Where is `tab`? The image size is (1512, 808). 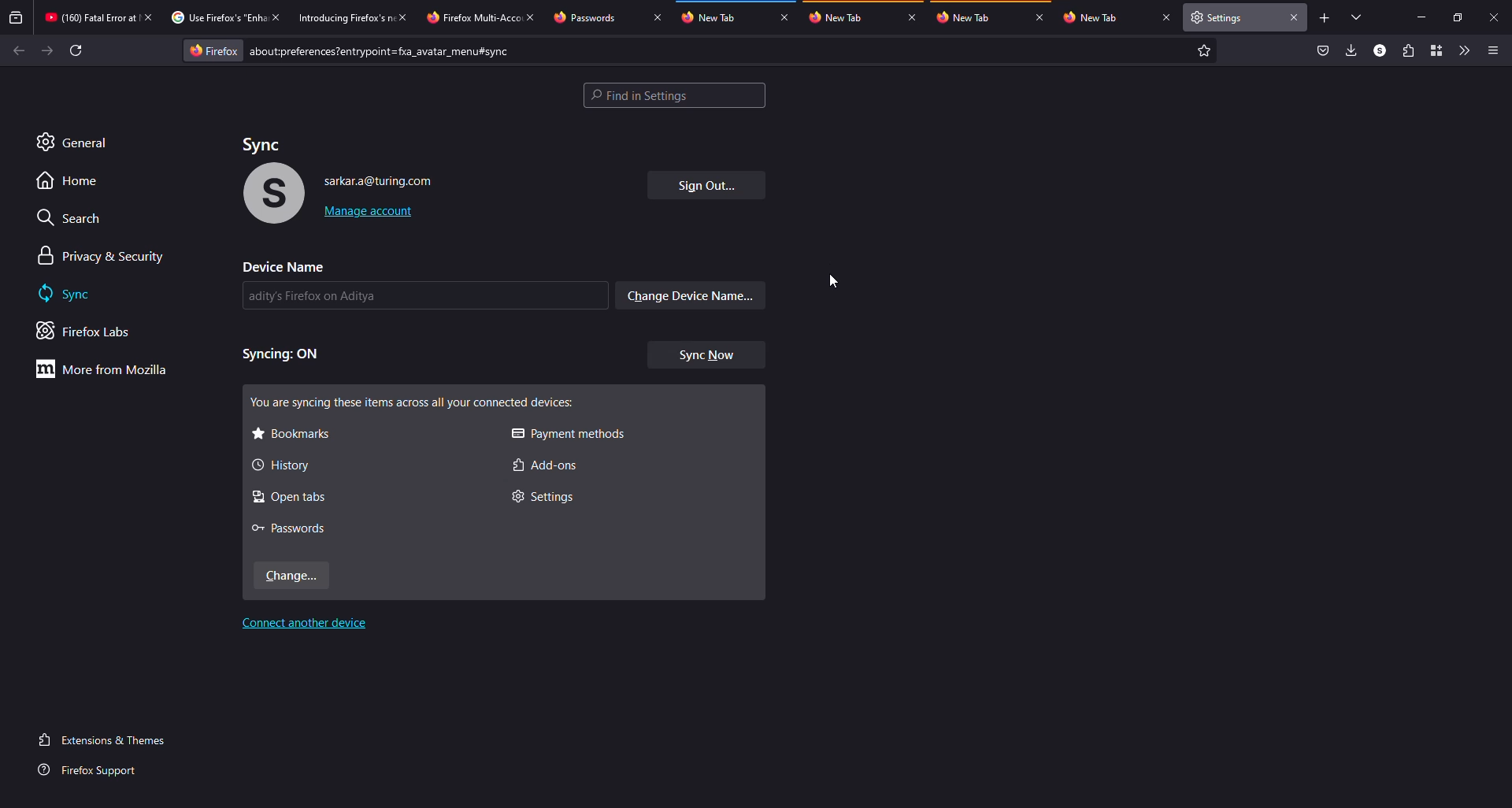
tab is located at coordinates (1099, 17).